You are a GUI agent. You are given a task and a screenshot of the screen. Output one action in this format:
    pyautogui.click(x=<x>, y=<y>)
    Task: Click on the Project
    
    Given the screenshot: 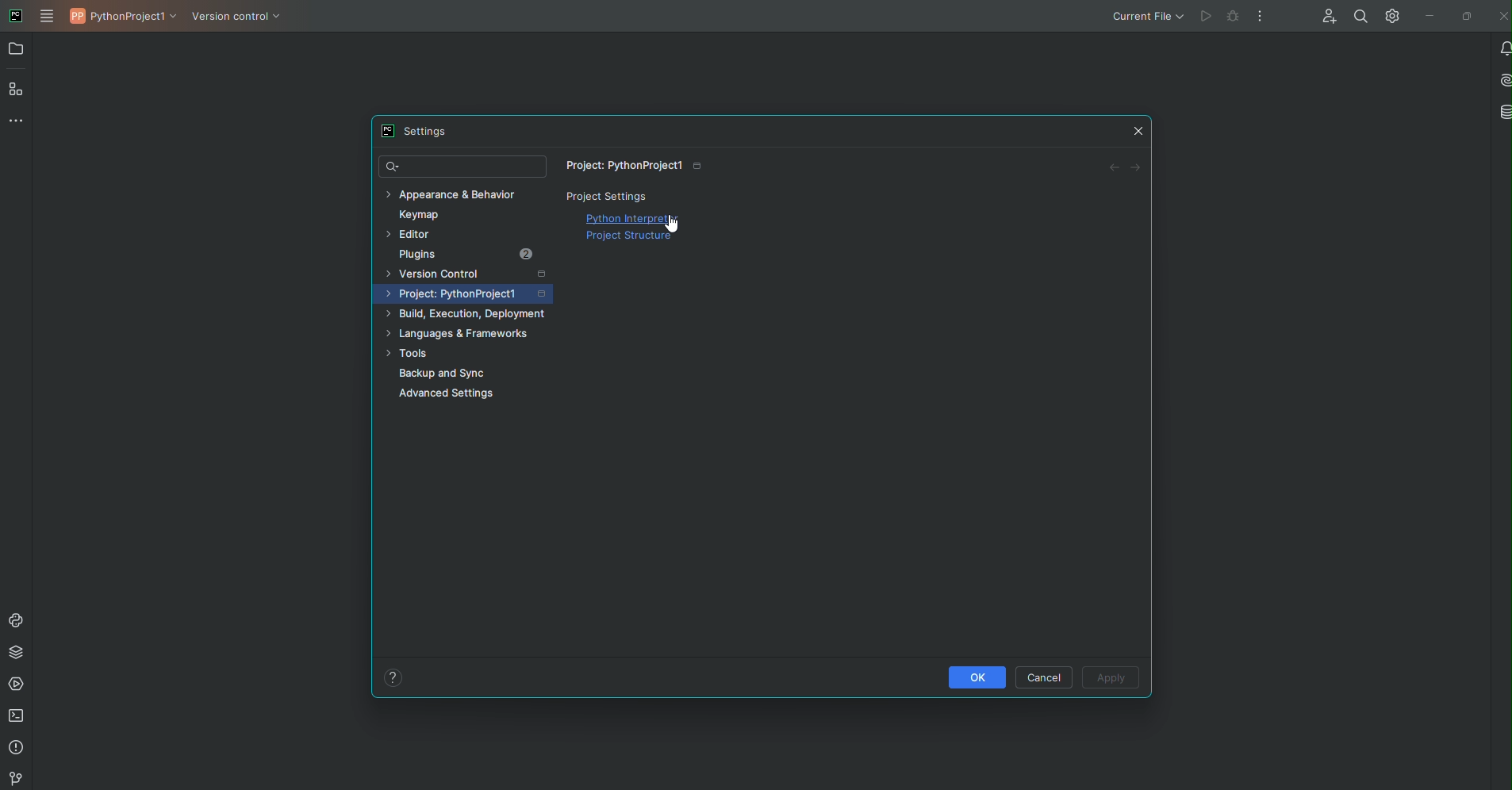 What is the action you would take?
    pyautogui.click(x=469, y=292)
    